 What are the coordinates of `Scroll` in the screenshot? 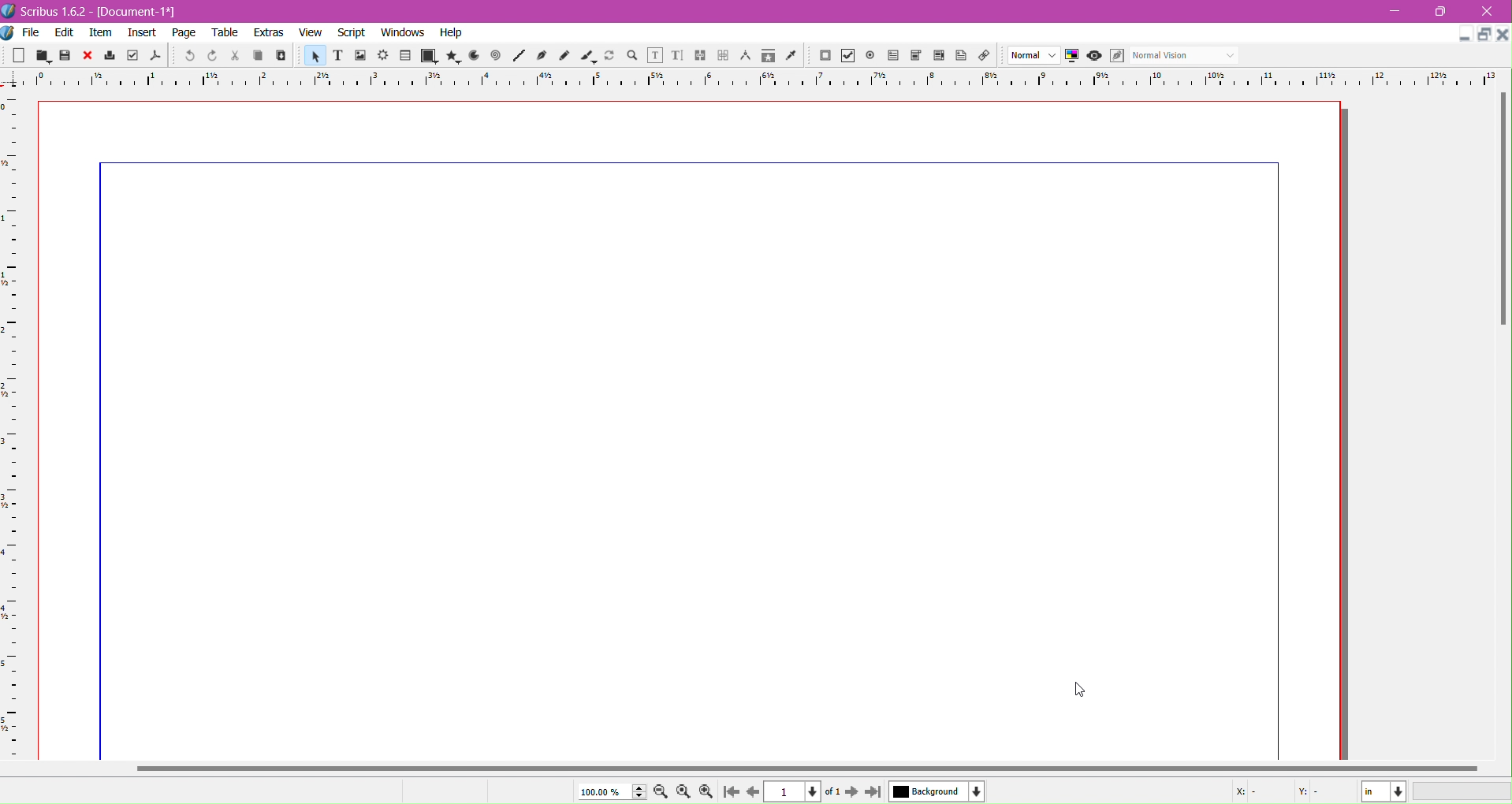 It's located at (752, 767).